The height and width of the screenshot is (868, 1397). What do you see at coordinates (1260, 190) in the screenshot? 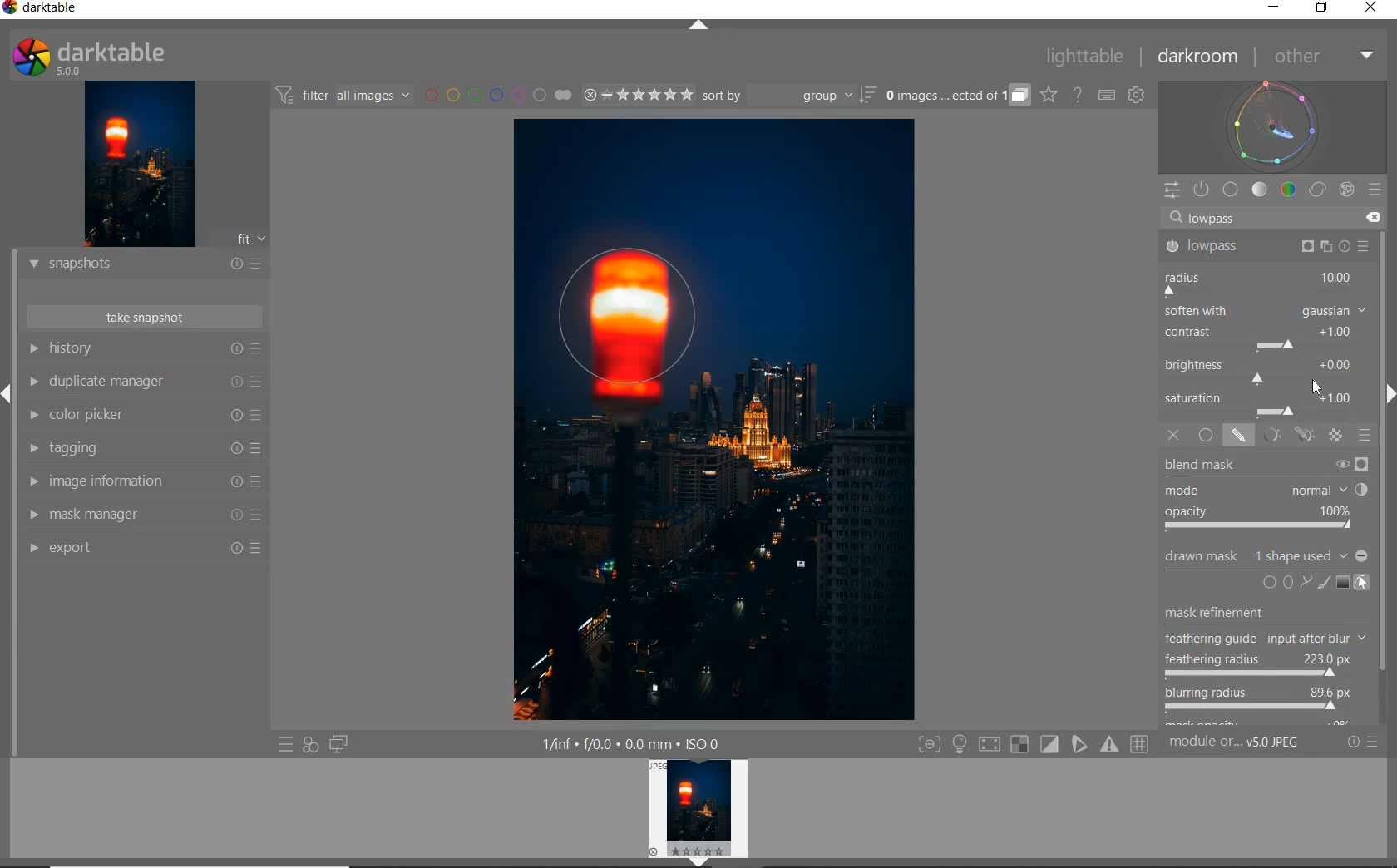
I see `TONE` at bounding box center [1260, 190].